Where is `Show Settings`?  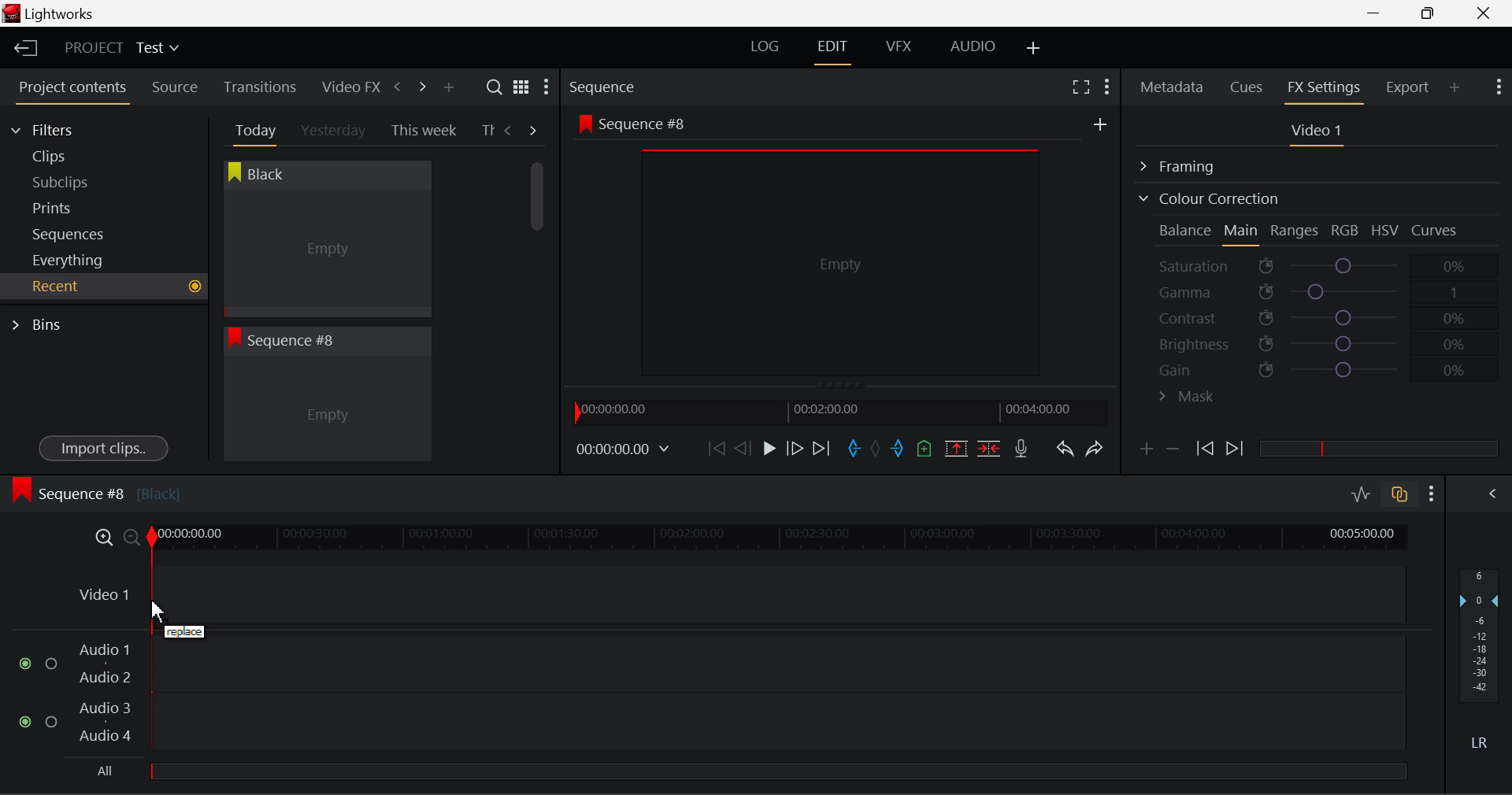 Show Settings is located at coordinates (1106, 84).